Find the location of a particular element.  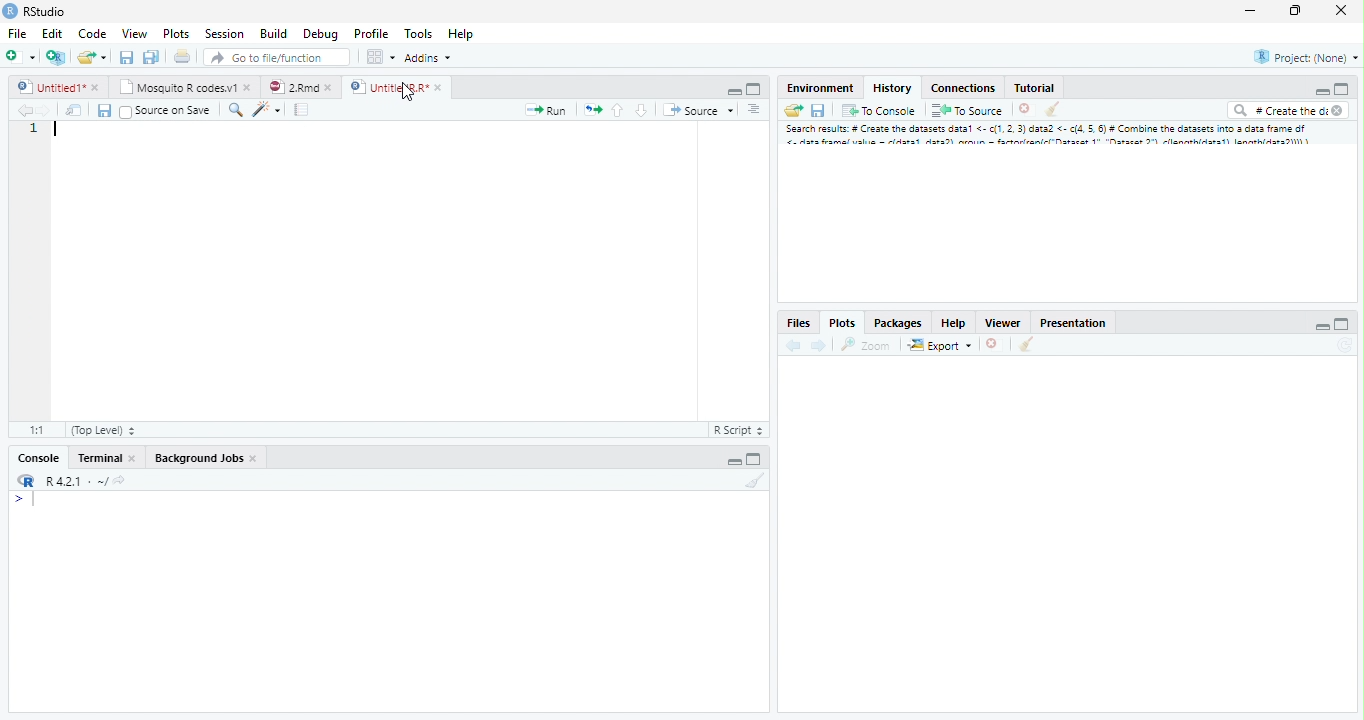

Input cursor is located at coordinates (30, 500).